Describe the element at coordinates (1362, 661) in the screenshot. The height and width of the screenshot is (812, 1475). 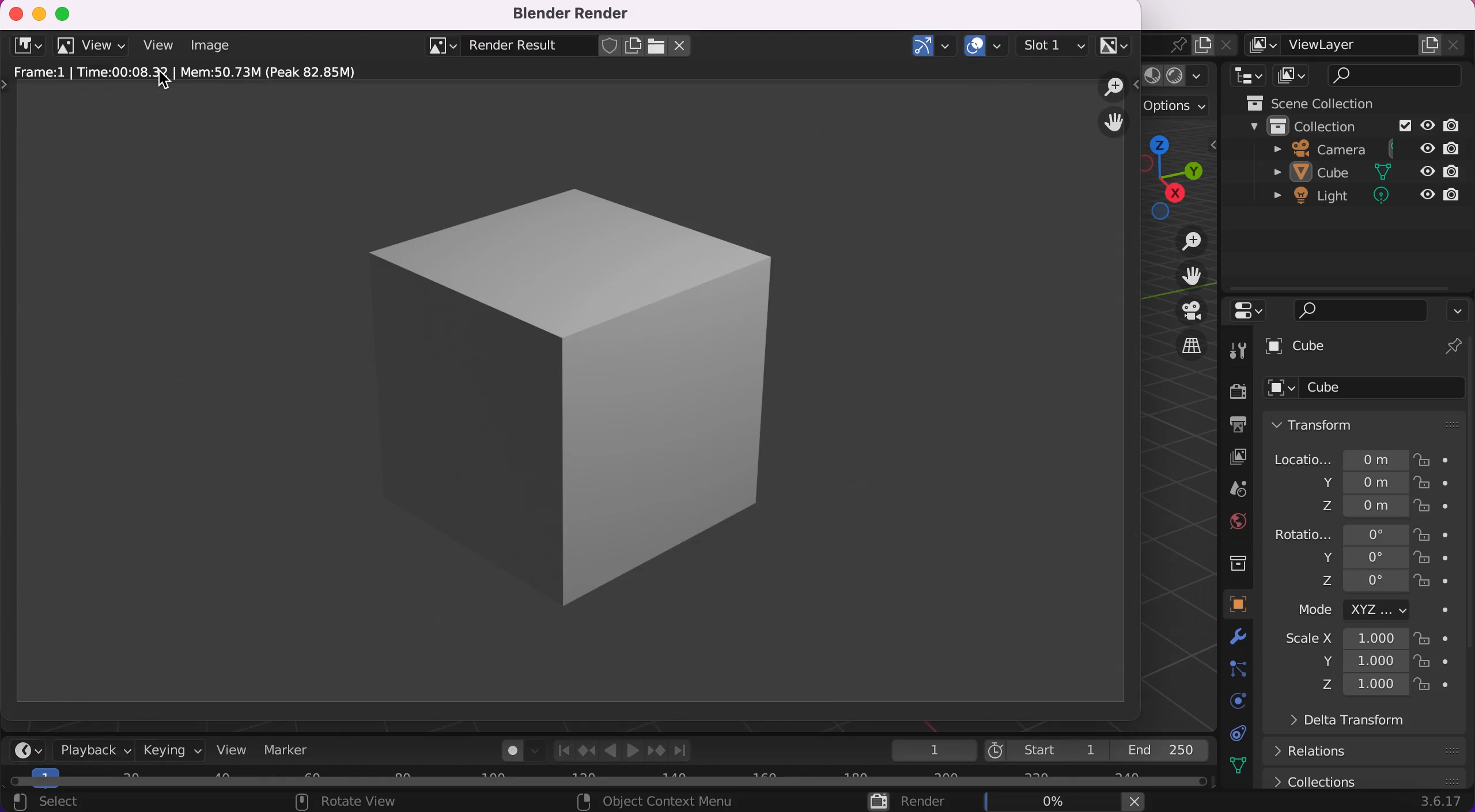
I see `y 1.000` at that location.